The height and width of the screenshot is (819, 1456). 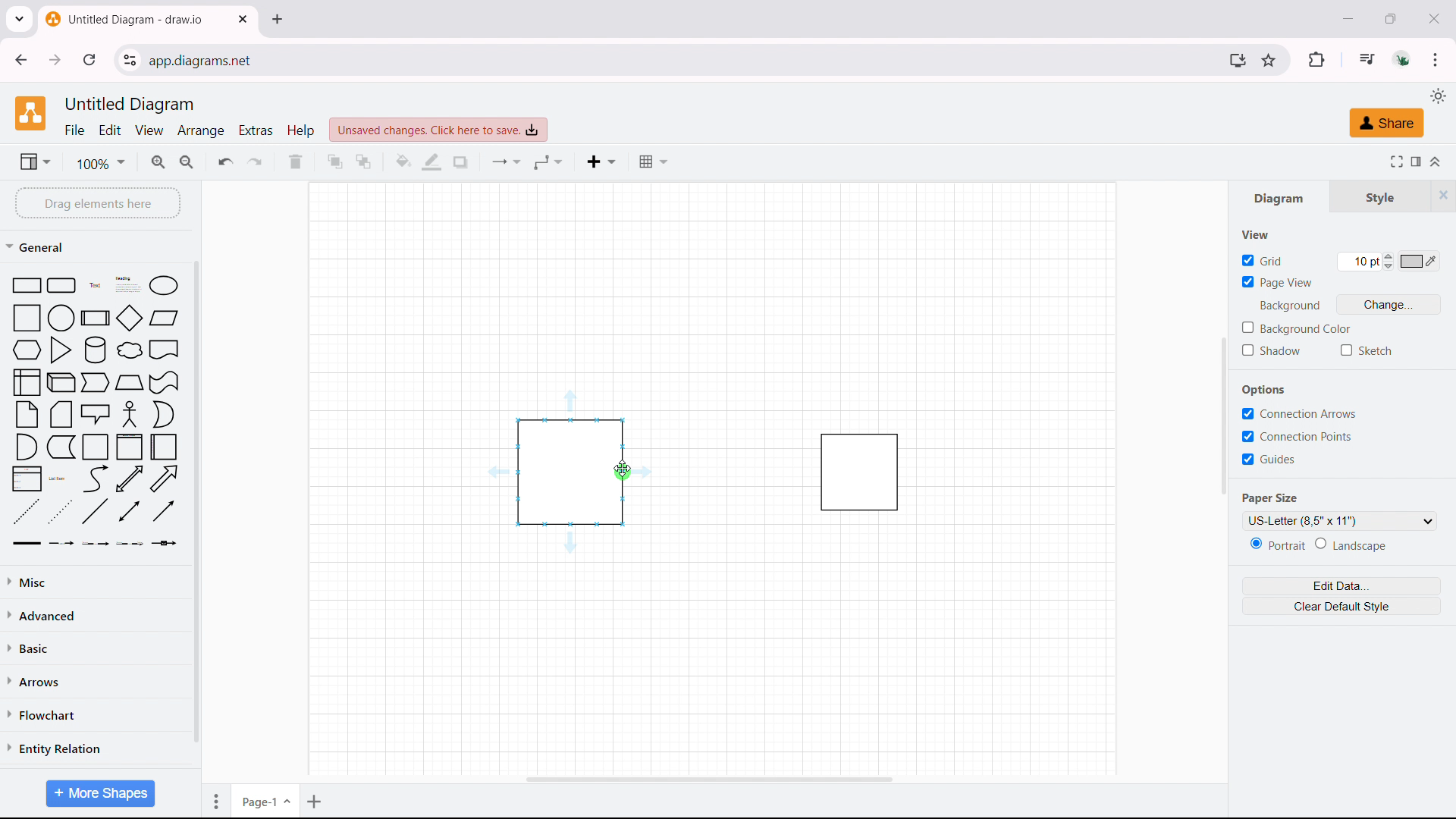 What do you see at coordinates (710, 780) in the screenshot?
I see `horizontal scrollbar` at bounding box center [710, 780].